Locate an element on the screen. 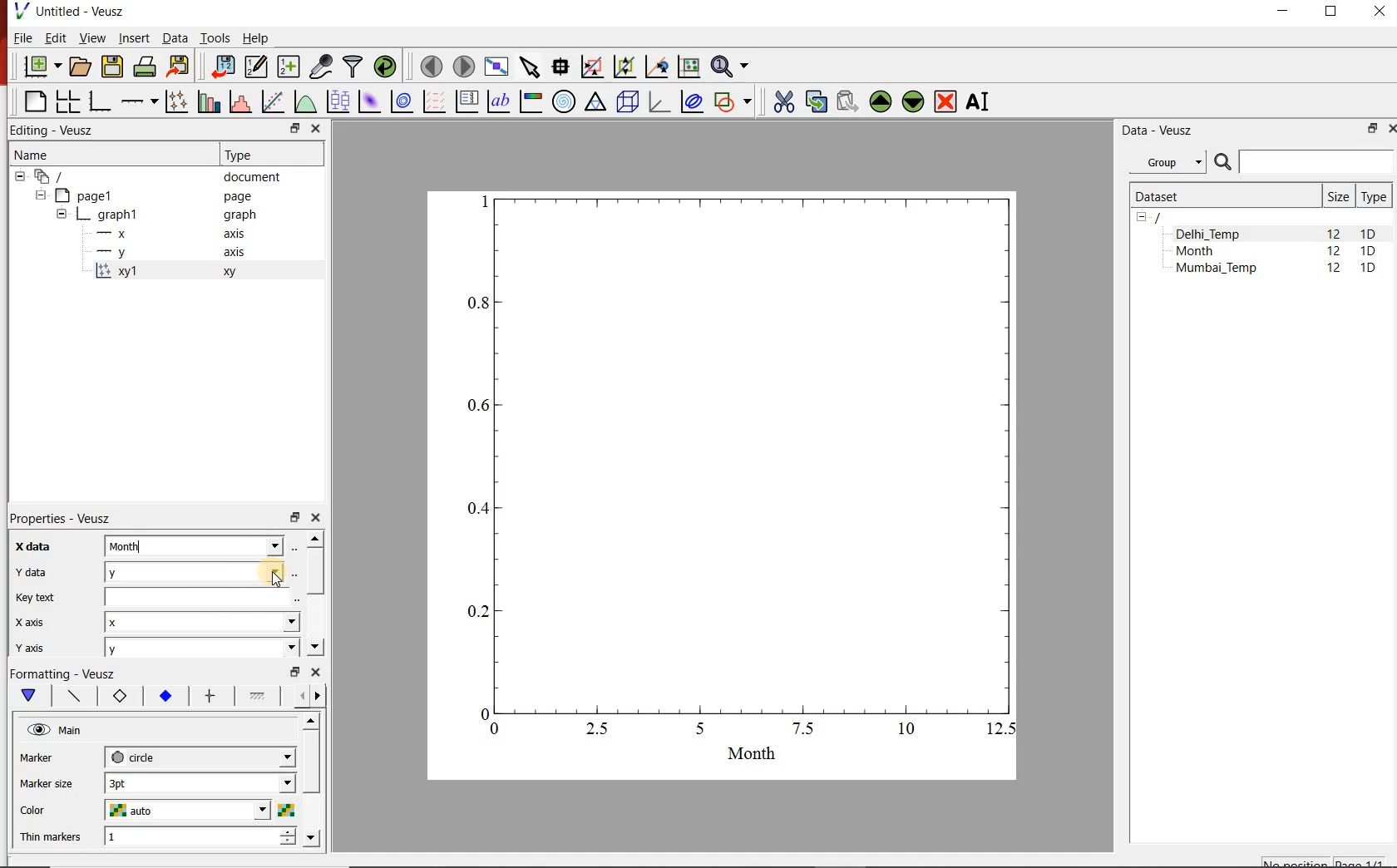 Image resolution: width=1397 pixels, height=868 pixels. graph1 is located at coordinates (158, 215).